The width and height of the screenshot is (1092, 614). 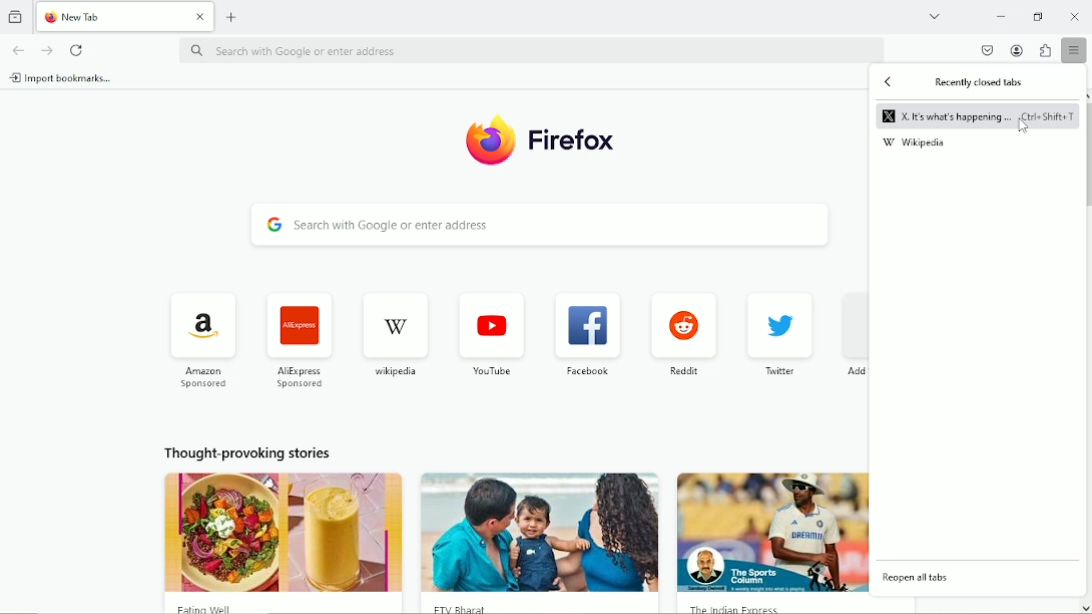 What do you see at coordinates (935, 14) in the screenshot?
I see `list all tabs` at bounding box center [935, 14].